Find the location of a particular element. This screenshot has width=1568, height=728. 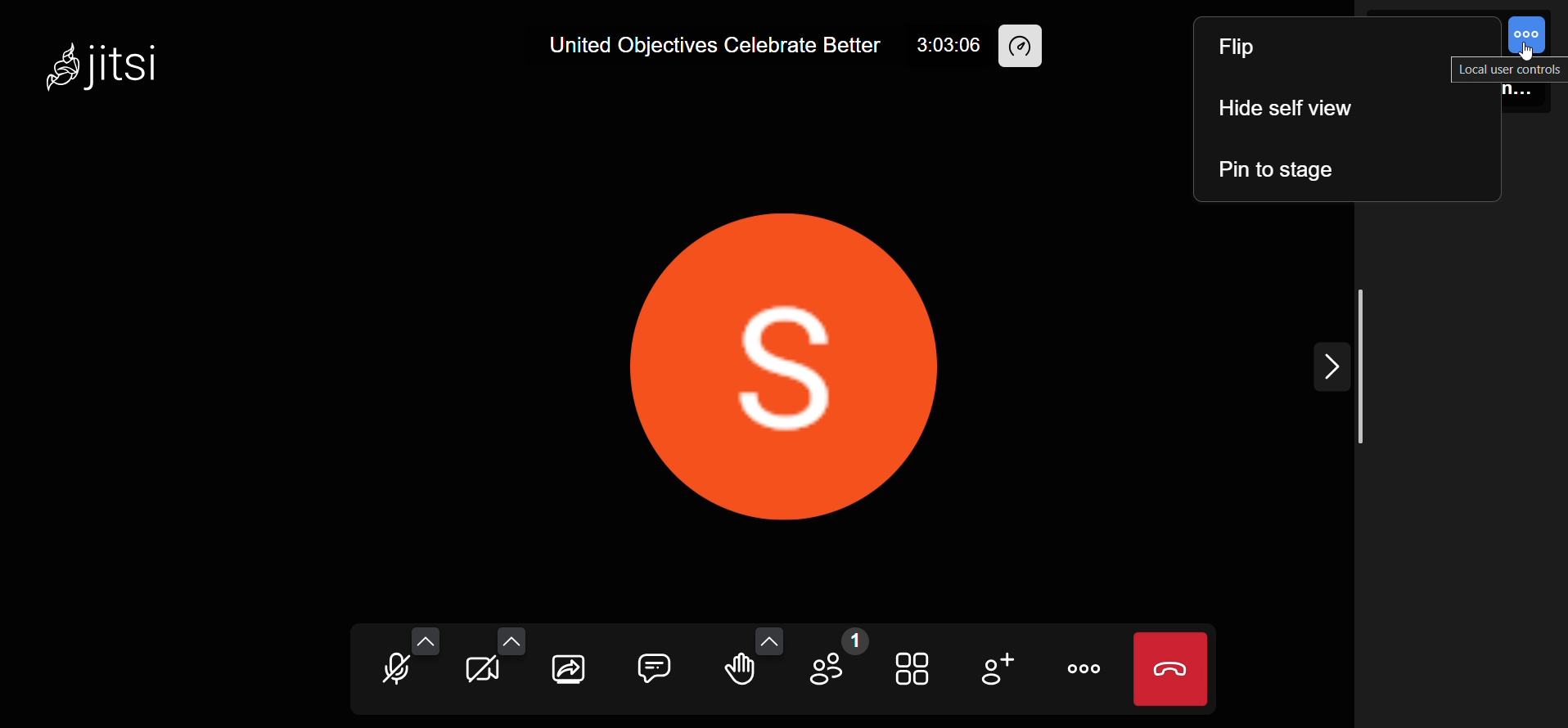

flip is located at coordinates (1240, 52).